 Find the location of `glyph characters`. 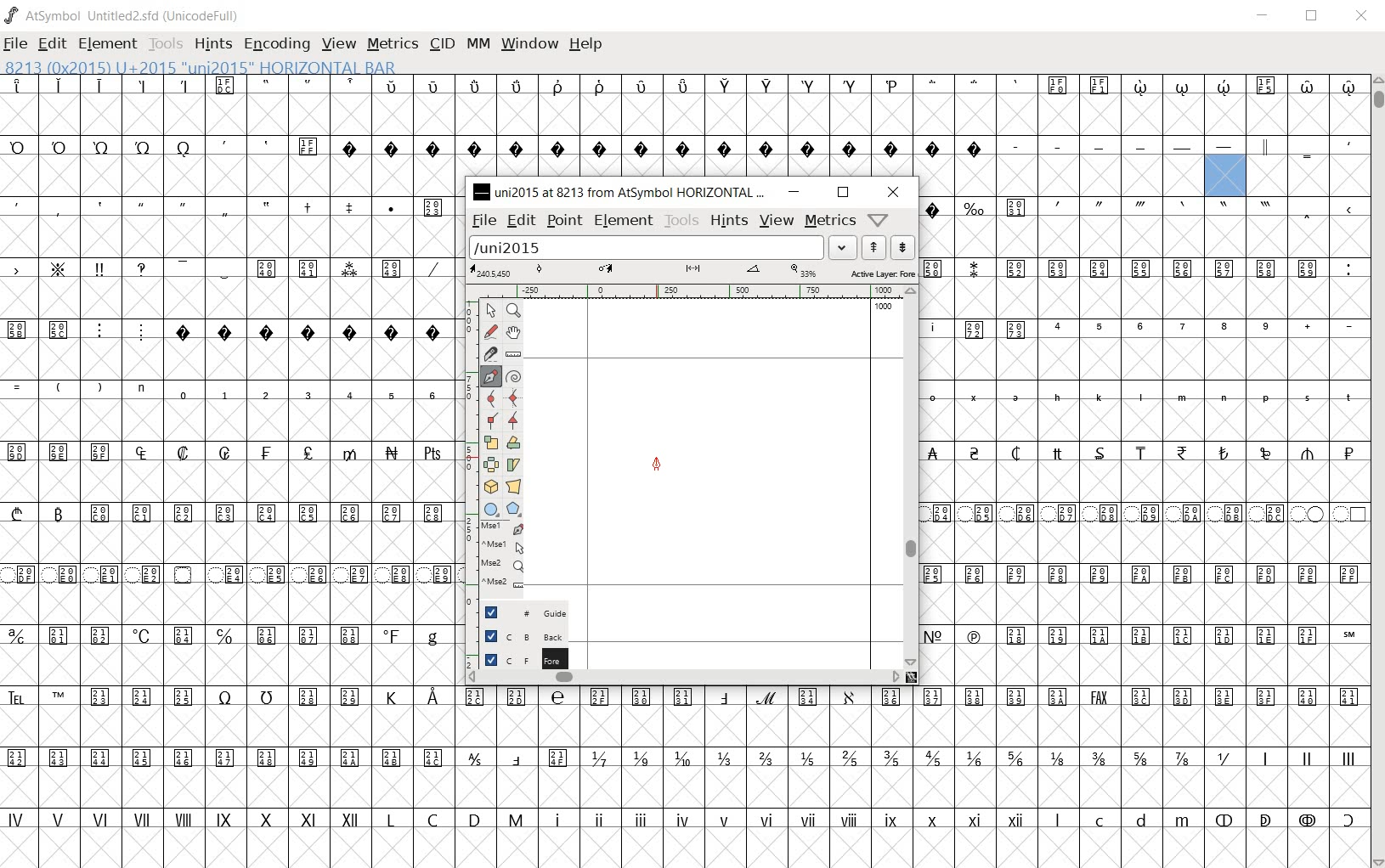

glyph characters is located at coordinates (914, 775).